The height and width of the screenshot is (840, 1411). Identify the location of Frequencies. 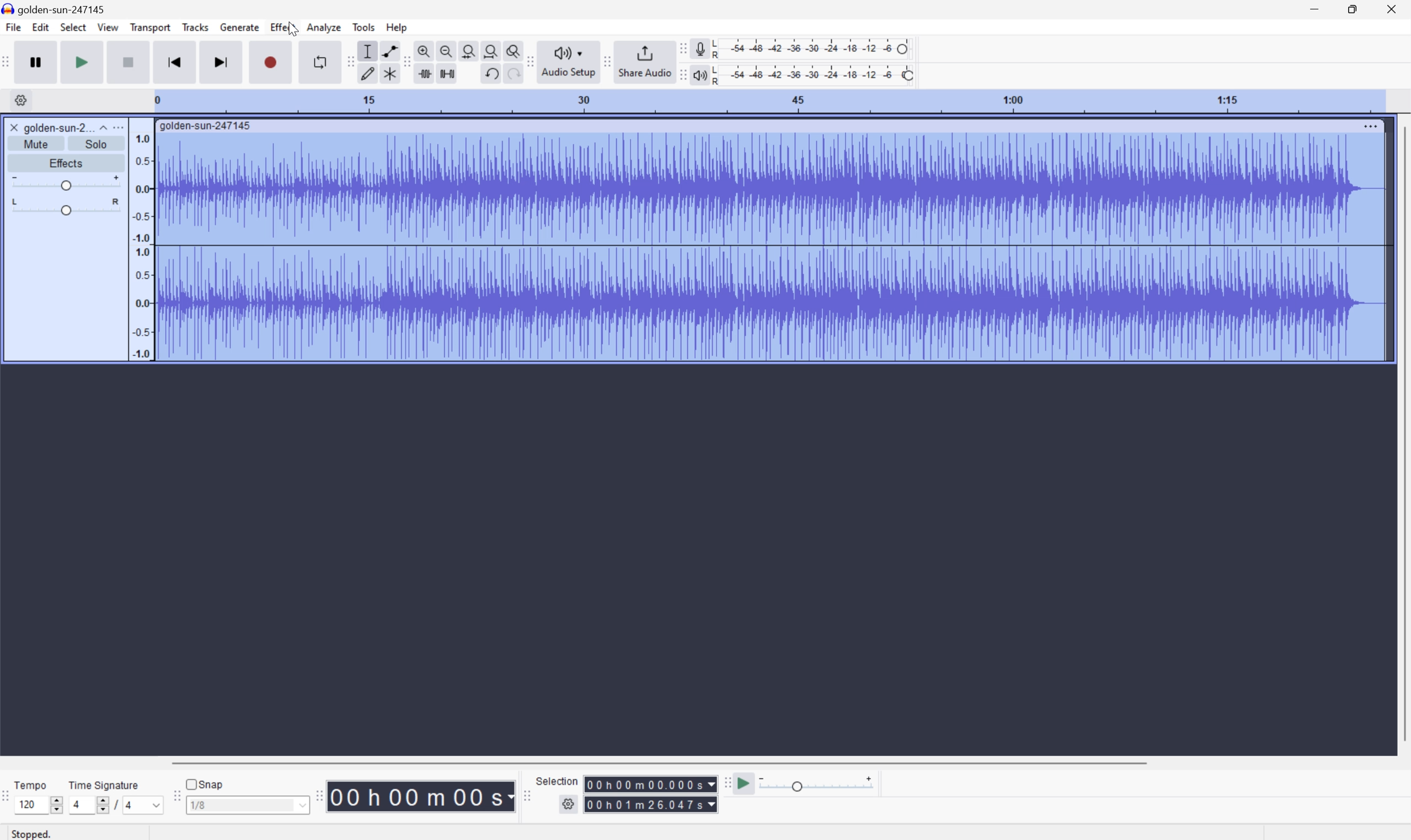
(142, 246).